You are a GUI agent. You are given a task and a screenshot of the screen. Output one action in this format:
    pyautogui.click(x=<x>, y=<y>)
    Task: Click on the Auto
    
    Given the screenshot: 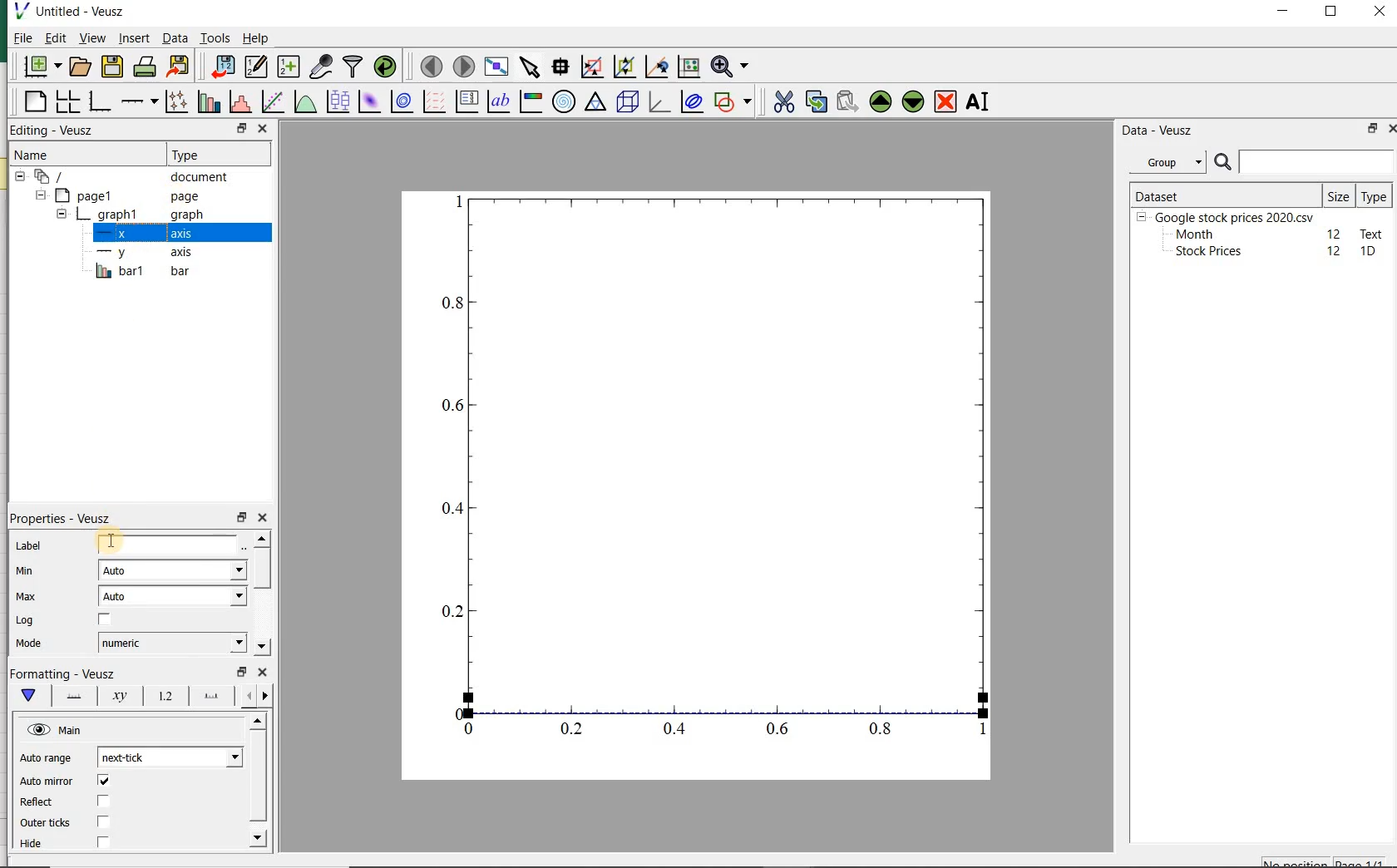 What is the action you would take?
    pyautogui.click(x=172, y=570)
    